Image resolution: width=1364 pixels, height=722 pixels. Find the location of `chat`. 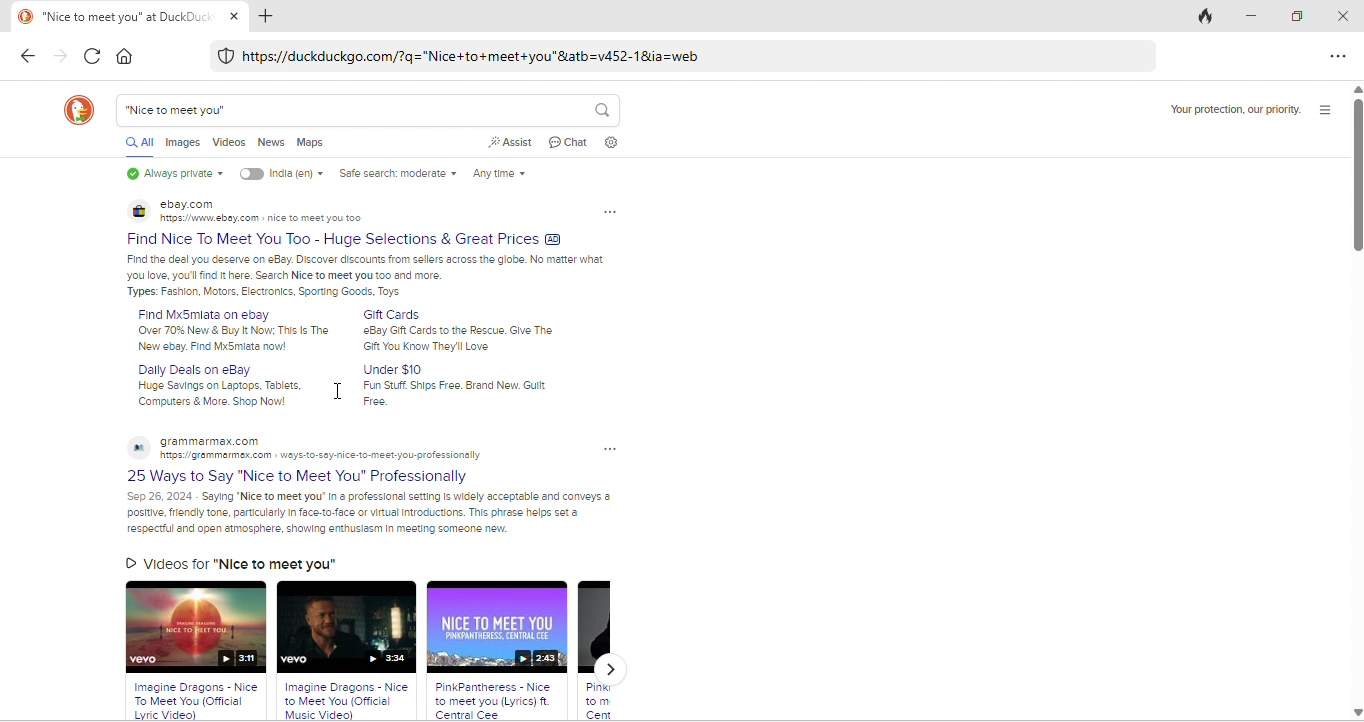

chat is located at coordinates (570, 142).